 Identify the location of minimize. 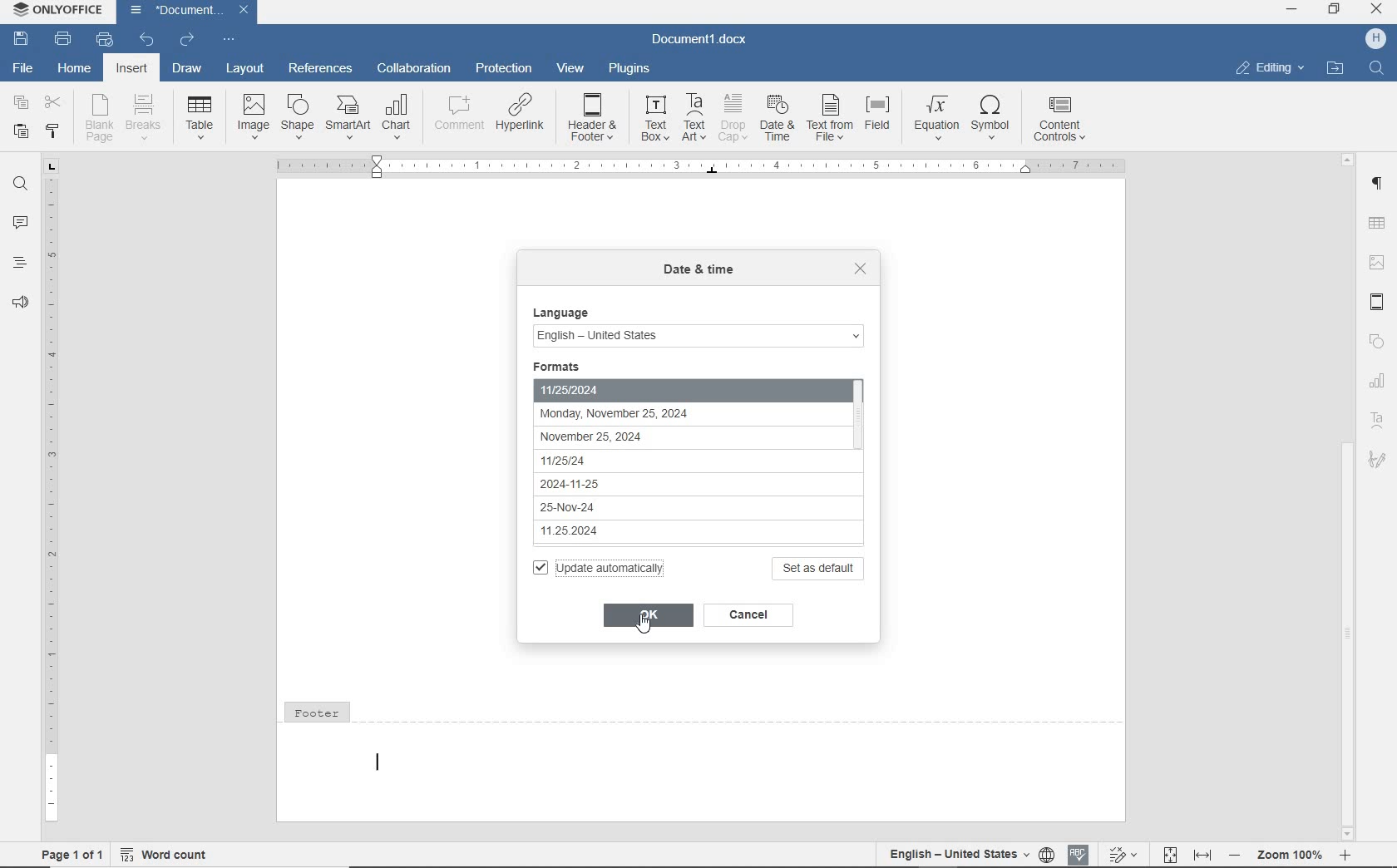
(1291, 11).